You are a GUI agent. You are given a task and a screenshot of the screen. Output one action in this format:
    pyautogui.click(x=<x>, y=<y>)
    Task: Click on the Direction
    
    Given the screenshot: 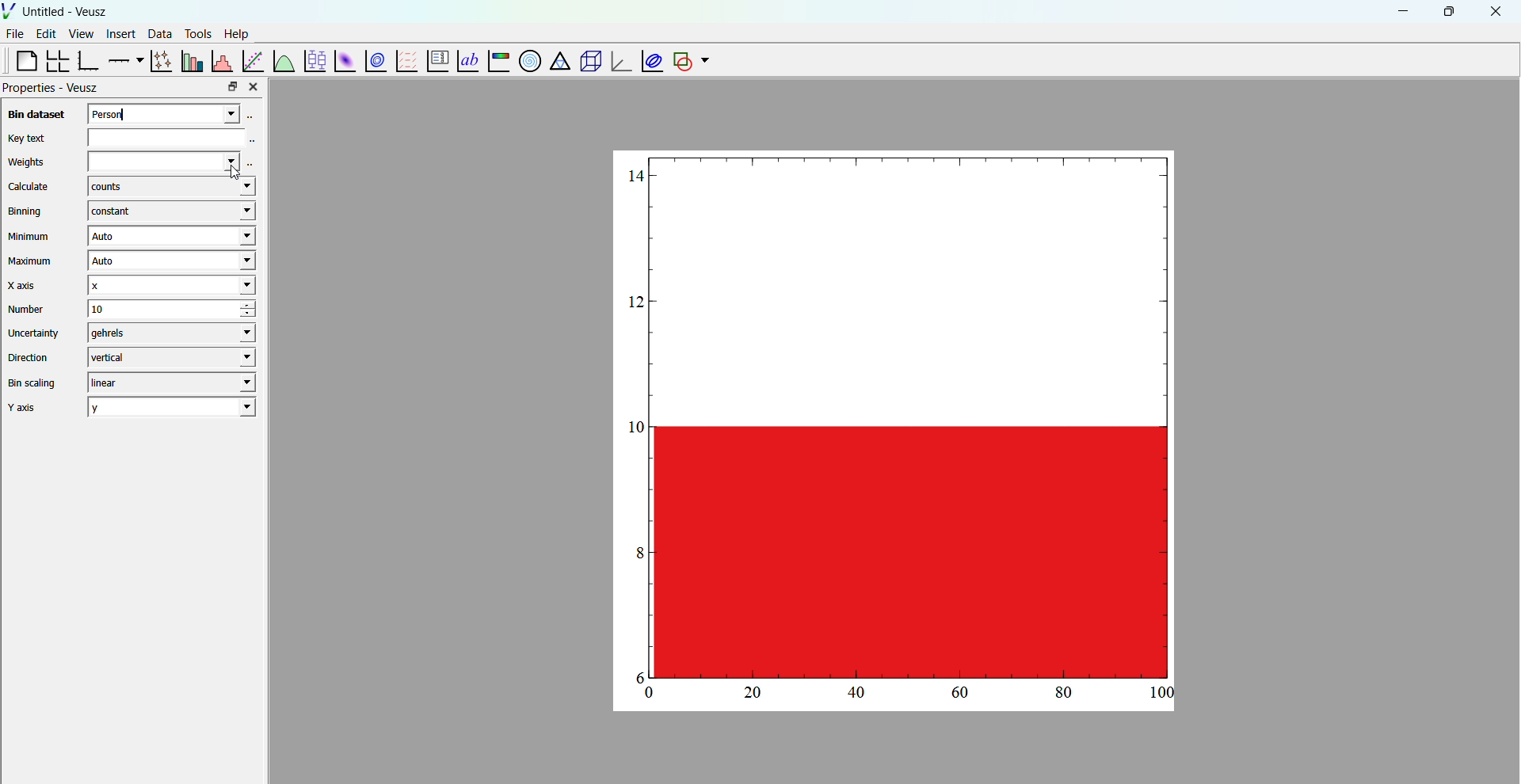 What is the action you would take?
    pyautogui.click(x=31, y=356)
    